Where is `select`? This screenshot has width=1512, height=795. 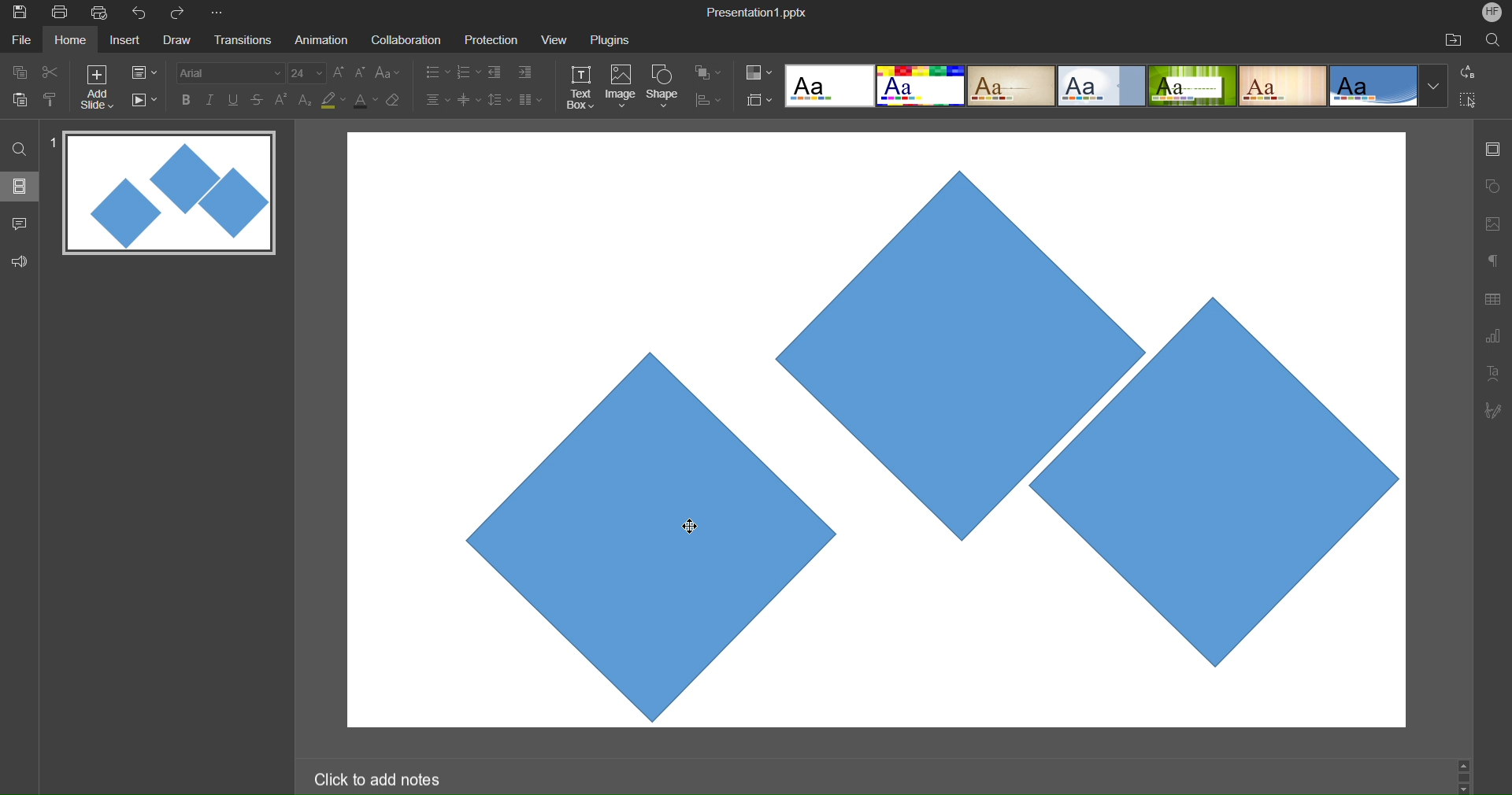 select is located at coordinates (1474, 102).